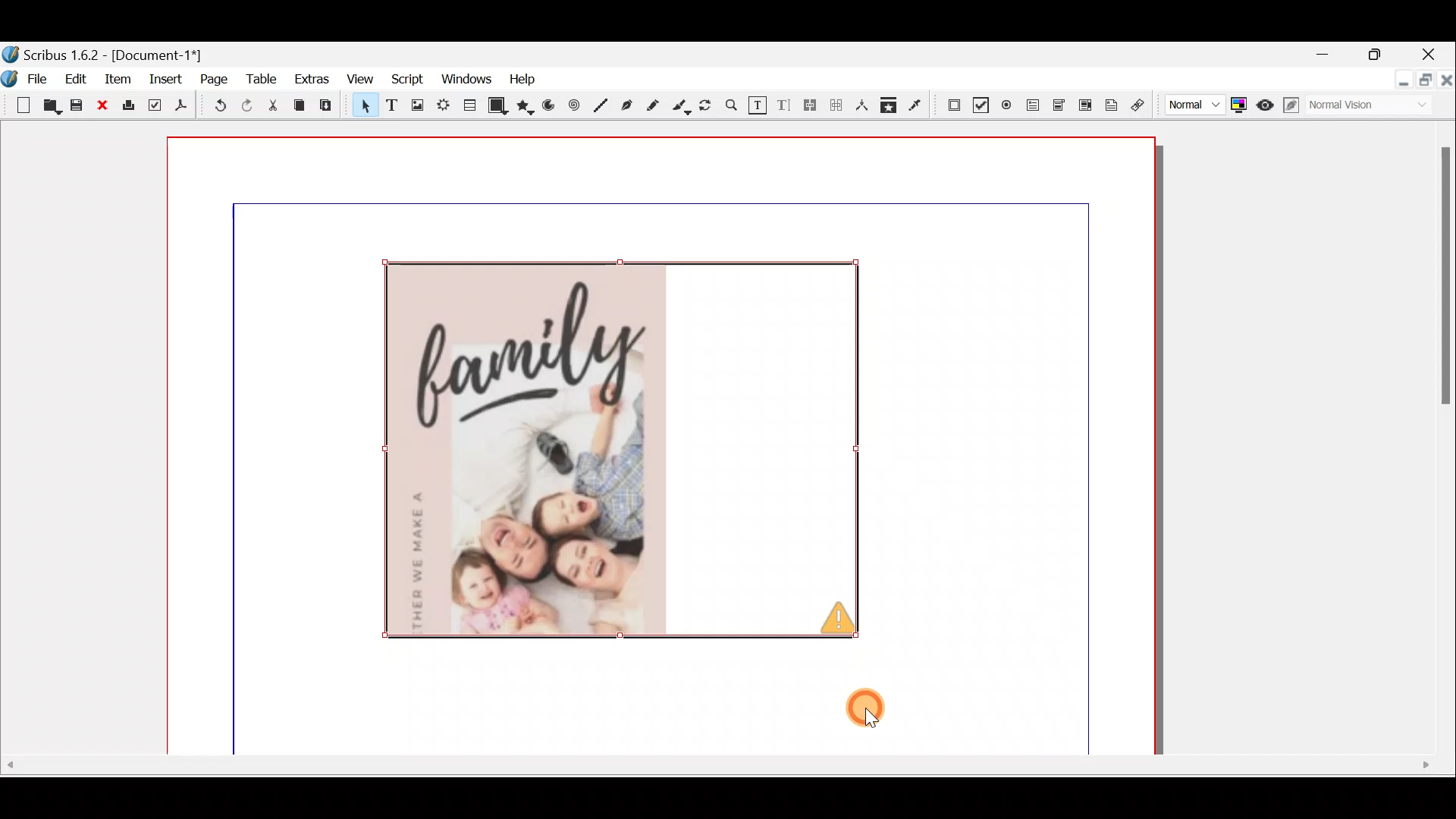 Image resolution: width=1456 pixels, height=819 pixels. Describe the element at coordinates (246, 105) in the screenshot. I see `Redo` at that location.